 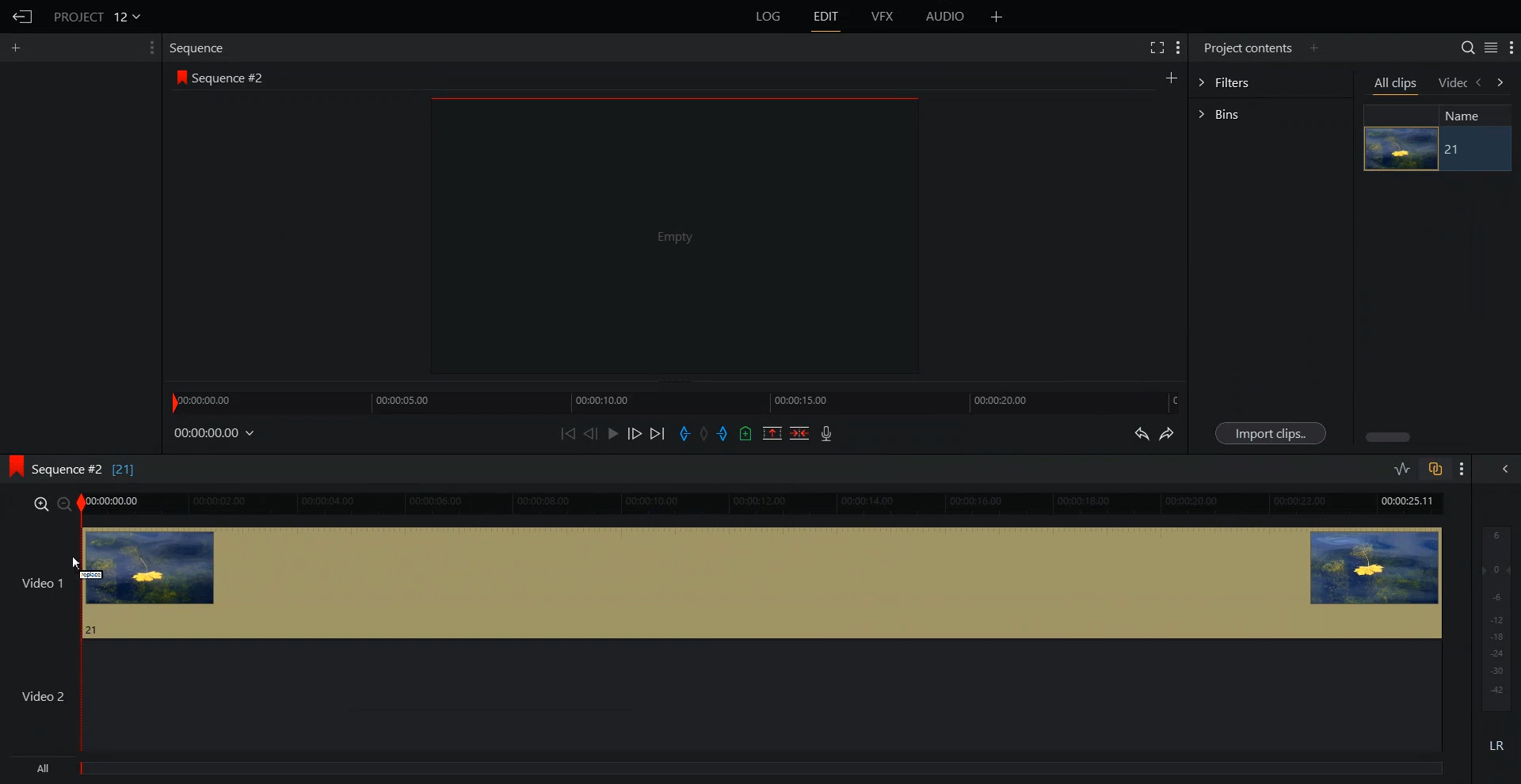 What do you see at coordinates (1386, 437) in the screenshot?
I see `Horizontal Scroll bar` at bounding box center [1386, 437].